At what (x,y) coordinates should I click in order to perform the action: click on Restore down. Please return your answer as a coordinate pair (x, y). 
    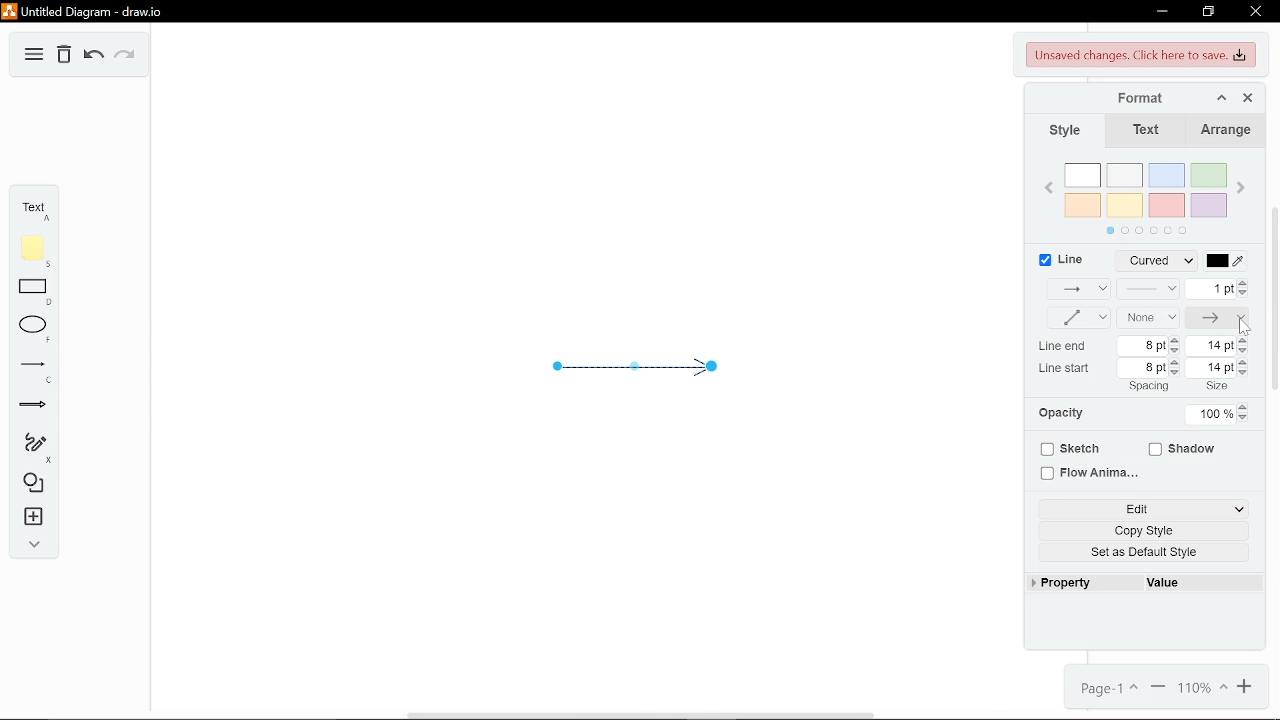
    Looking at the image, I should click on (1211, 12).